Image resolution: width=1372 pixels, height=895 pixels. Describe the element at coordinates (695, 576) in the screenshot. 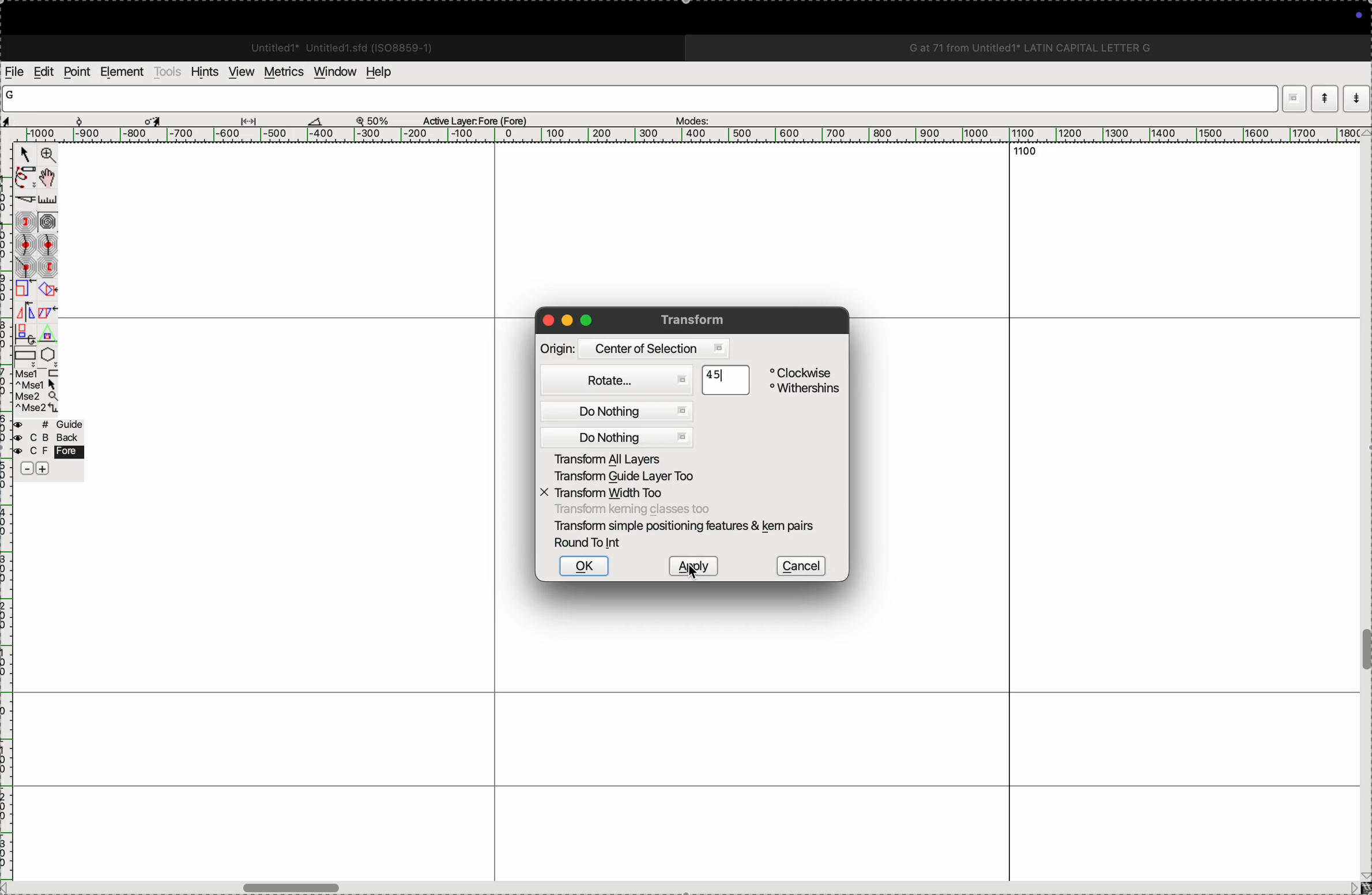

I see `cursor` at that location.